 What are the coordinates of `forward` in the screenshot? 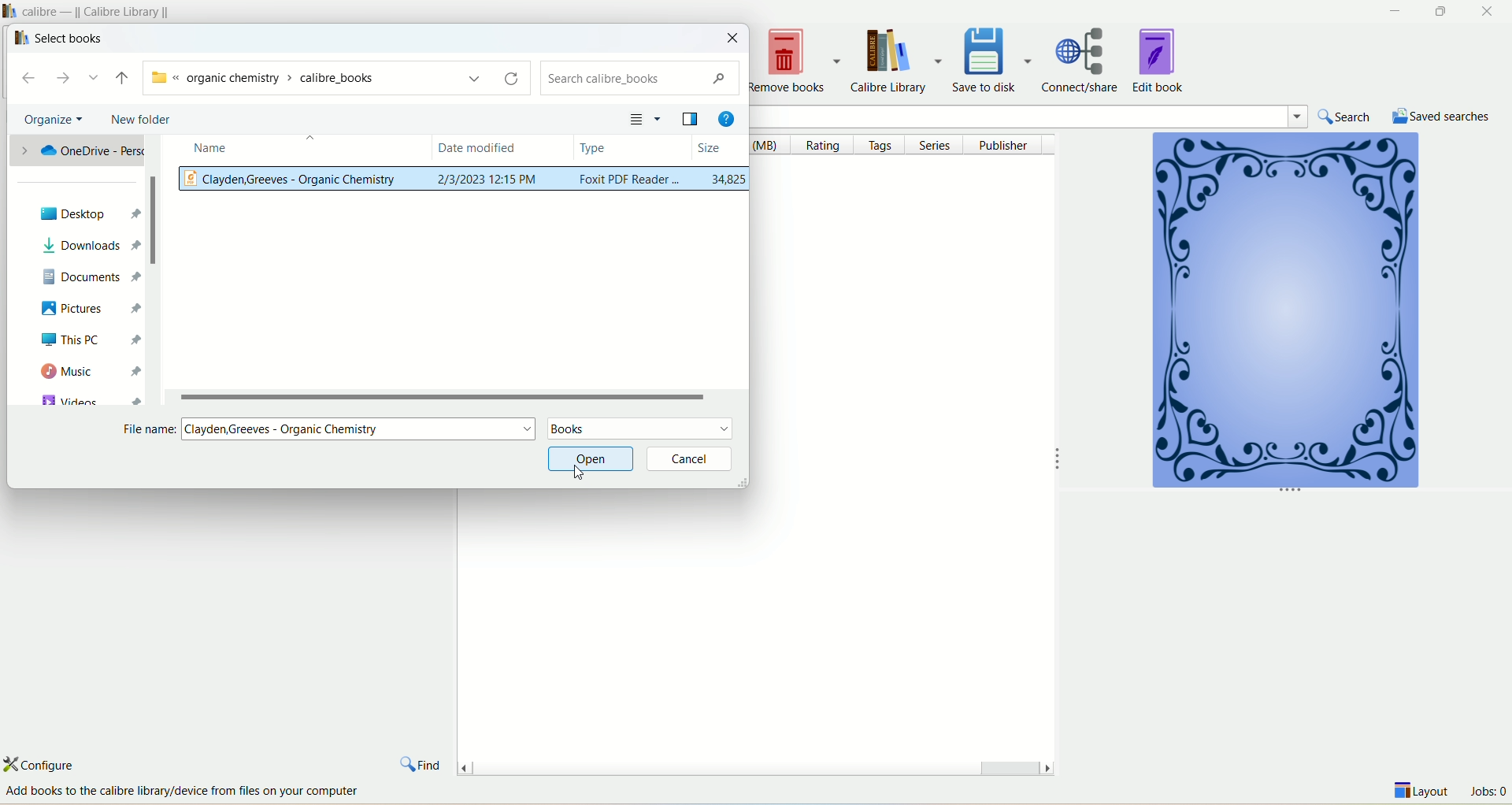 It's located at (69, 79).